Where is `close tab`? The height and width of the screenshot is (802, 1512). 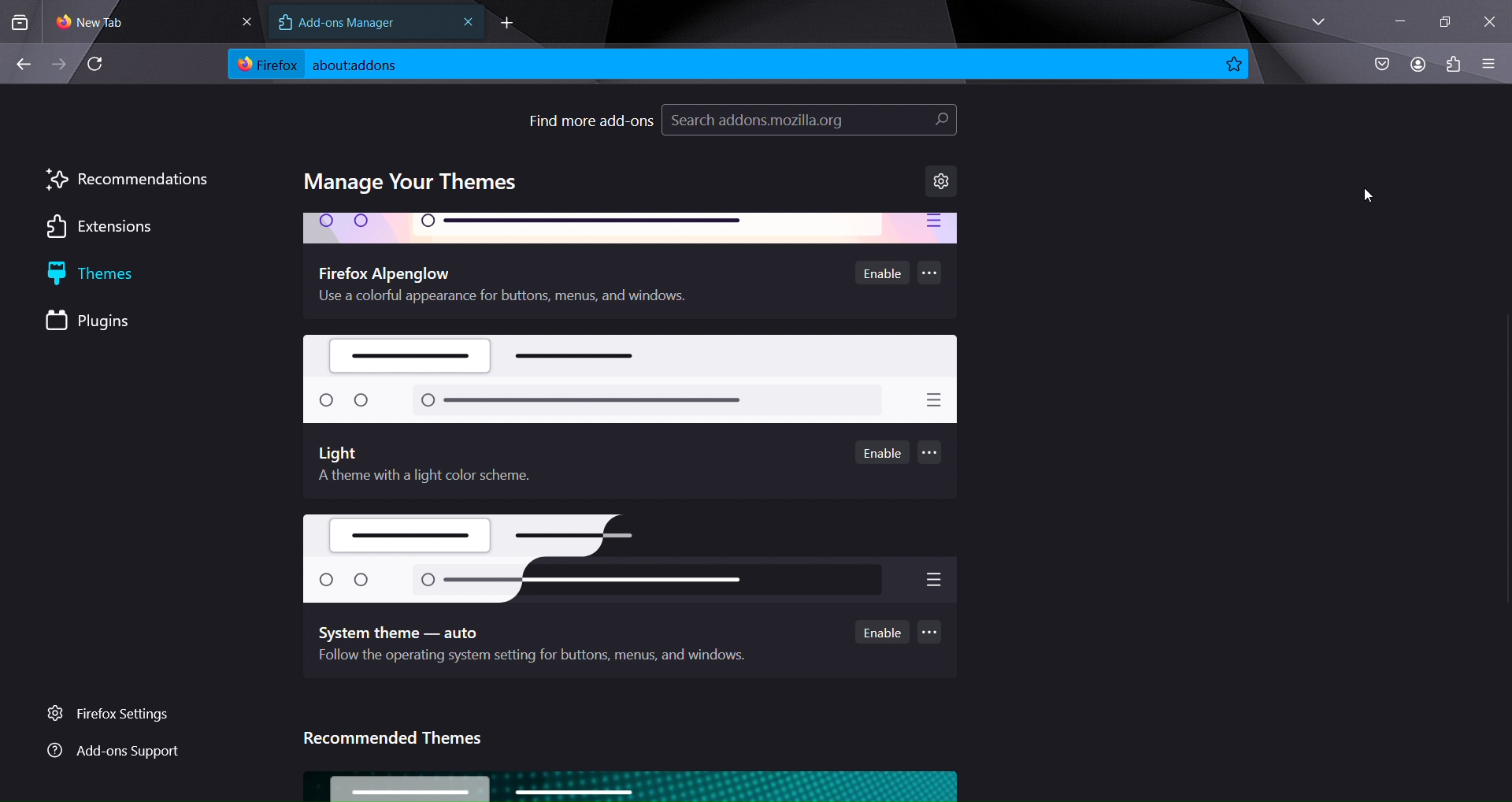 close tab is located at coordinates (469, 22).